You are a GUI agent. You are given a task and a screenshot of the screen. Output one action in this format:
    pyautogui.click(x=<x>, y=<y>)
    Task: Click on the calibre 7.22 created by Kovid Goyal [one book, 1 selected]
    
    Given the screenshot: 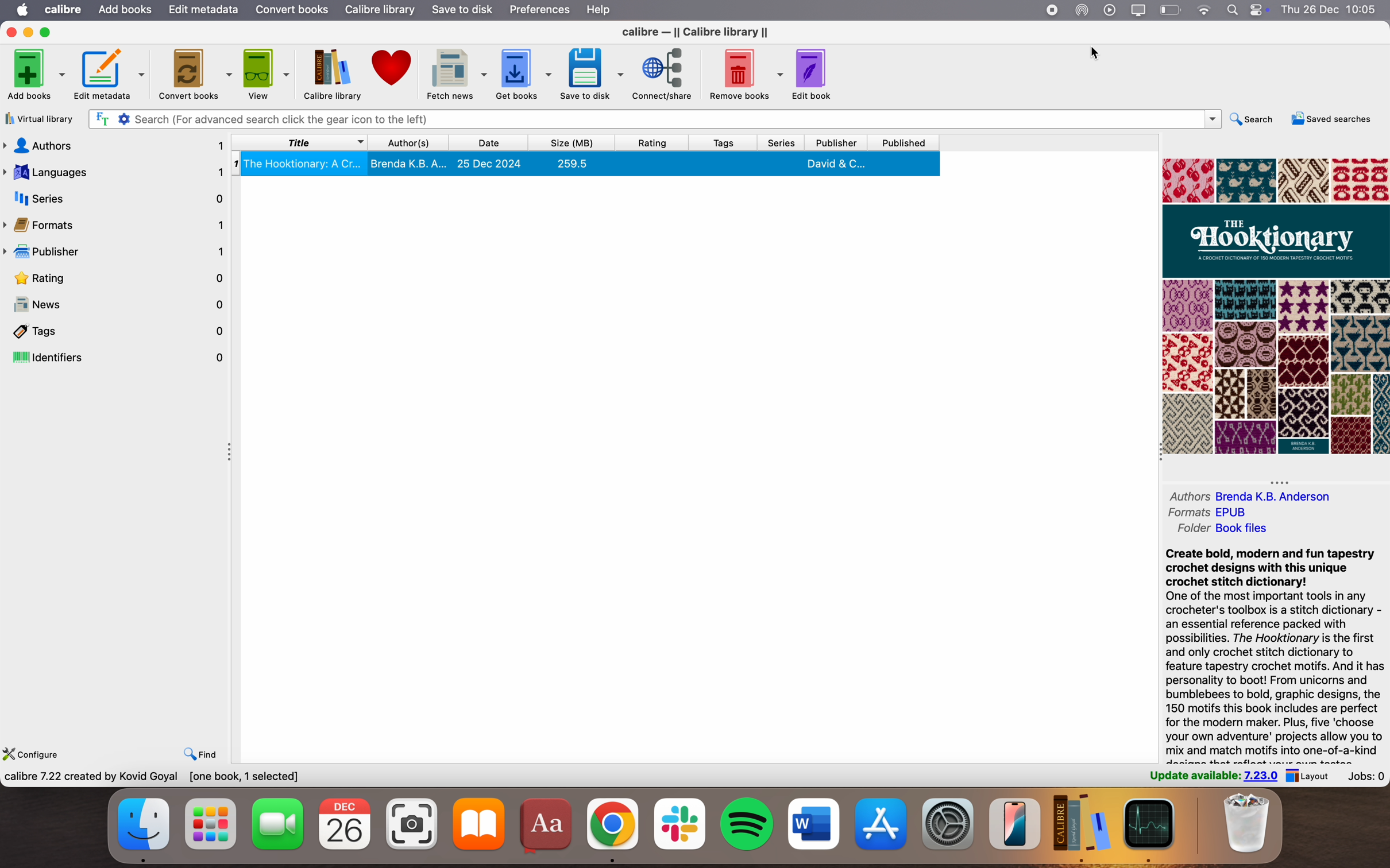 What is the action you would take?
    pyautogui.click(x=151, y=776)
    